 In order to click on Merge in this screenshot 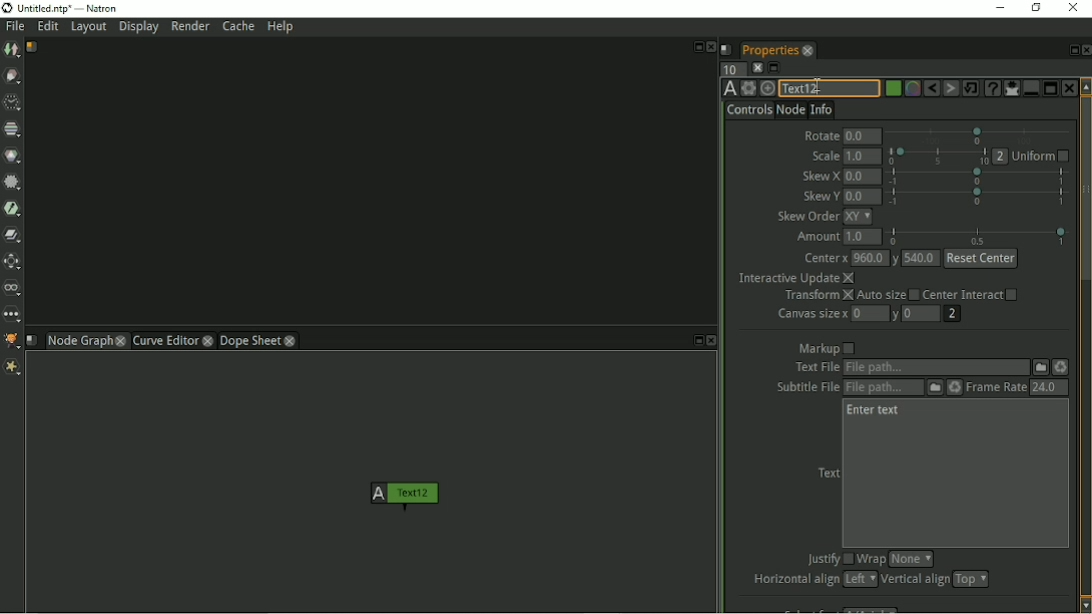, I will do `click(13, 235)`.